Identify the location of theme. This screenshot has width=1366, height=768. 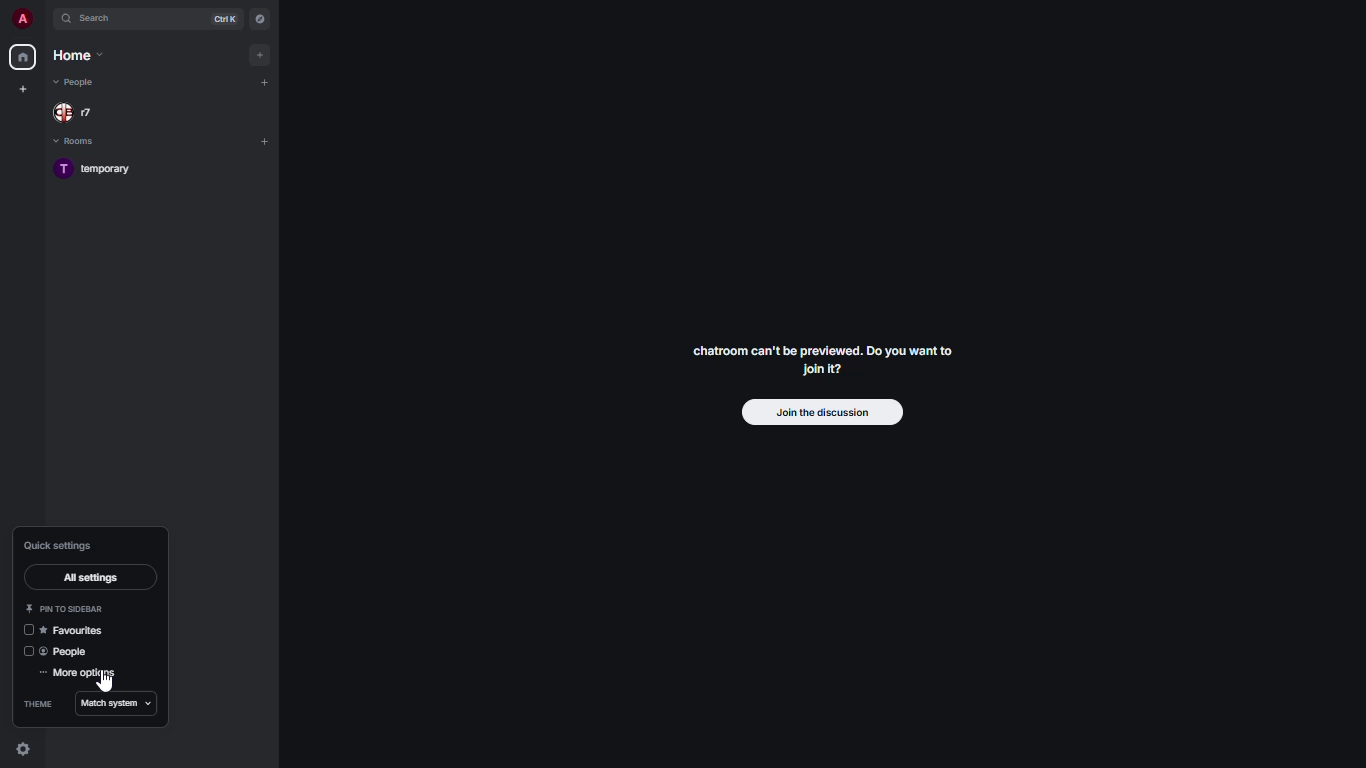
(37, 702).